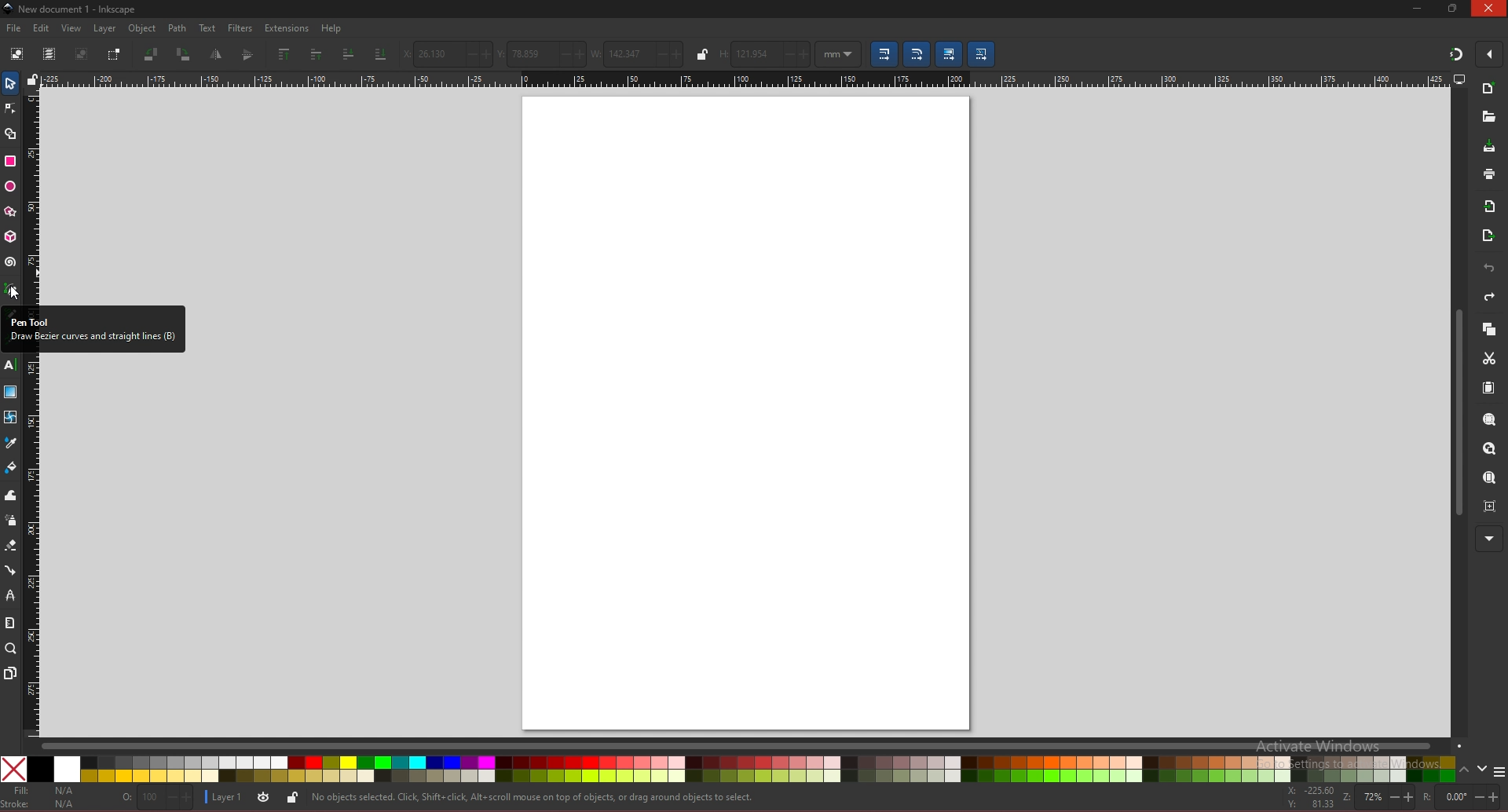 The width and height of the screenshot is (1508, 812). What do you see at coordinates (145, 29) in the screenshot?
I see `object` at bounding box center [145, 29].